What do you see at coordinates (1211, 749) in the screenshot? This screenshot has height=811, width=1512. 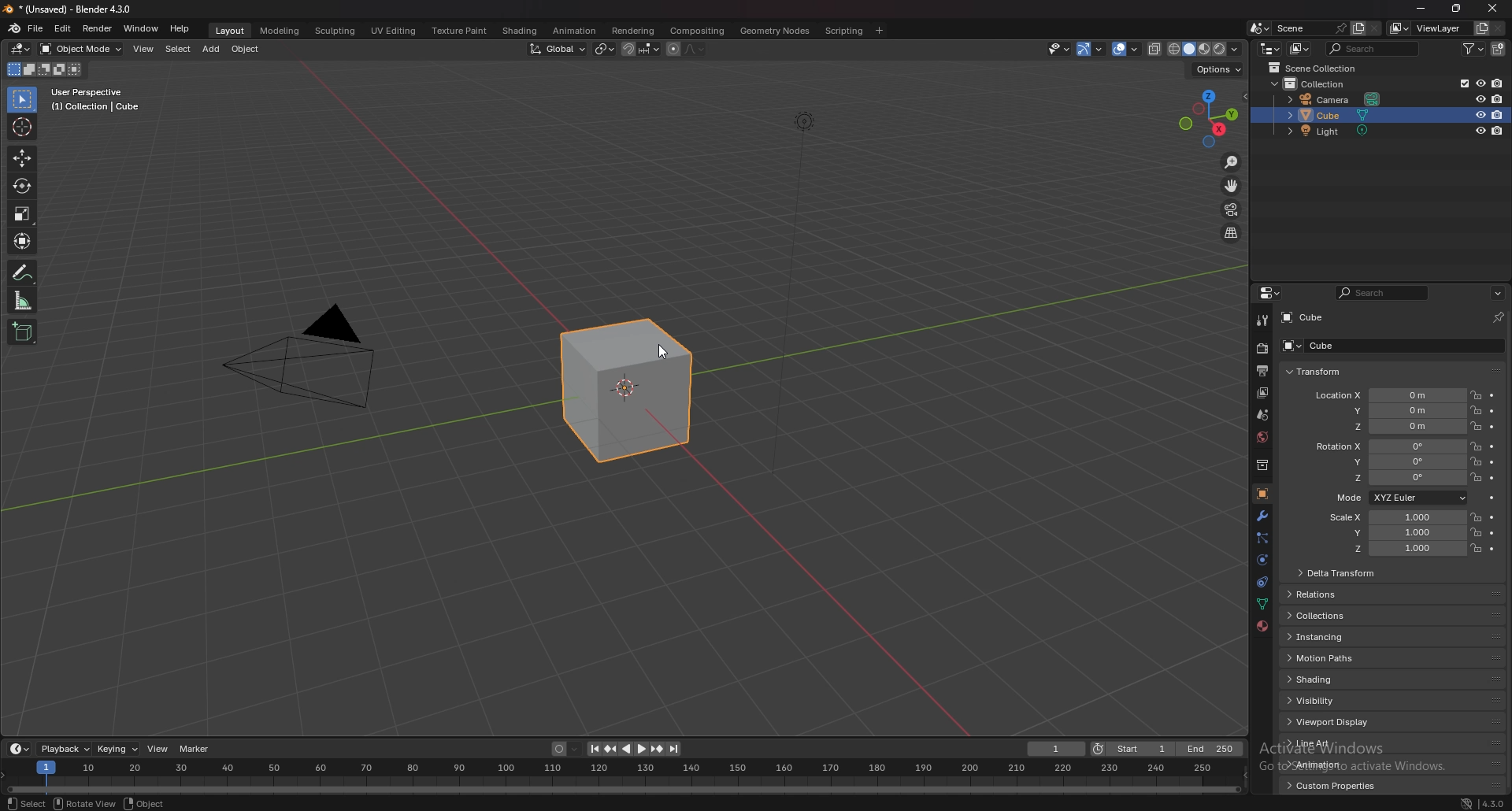 I see `end frame` at bounding box center [1211, 749].